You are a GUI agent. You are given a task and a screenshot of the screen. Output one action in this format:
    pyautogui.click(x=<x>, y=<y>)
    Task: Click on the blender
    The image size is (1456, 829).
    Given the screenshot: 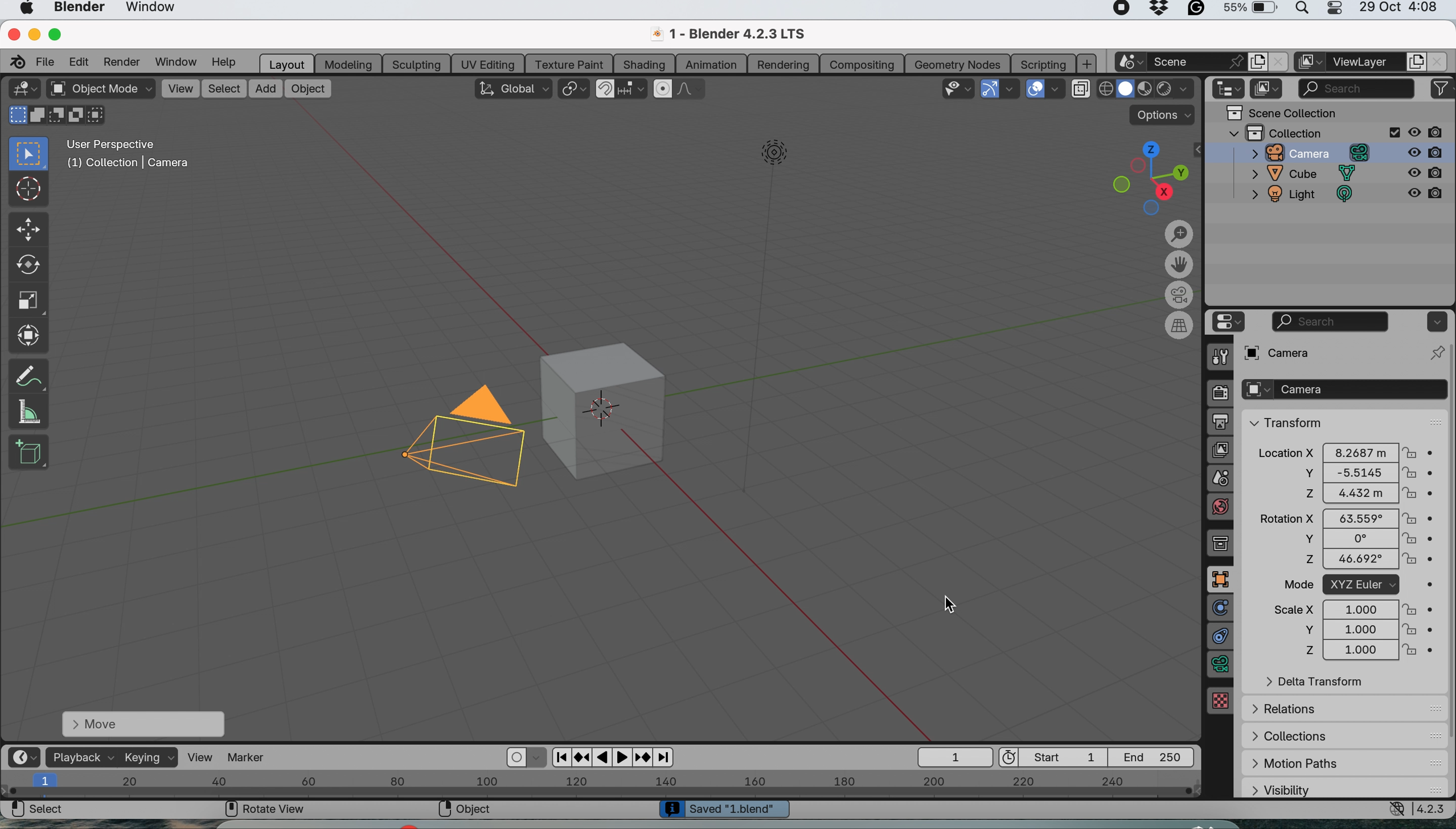 What is the action you would take?
    pyautogui.click(x=77, y=9)
    